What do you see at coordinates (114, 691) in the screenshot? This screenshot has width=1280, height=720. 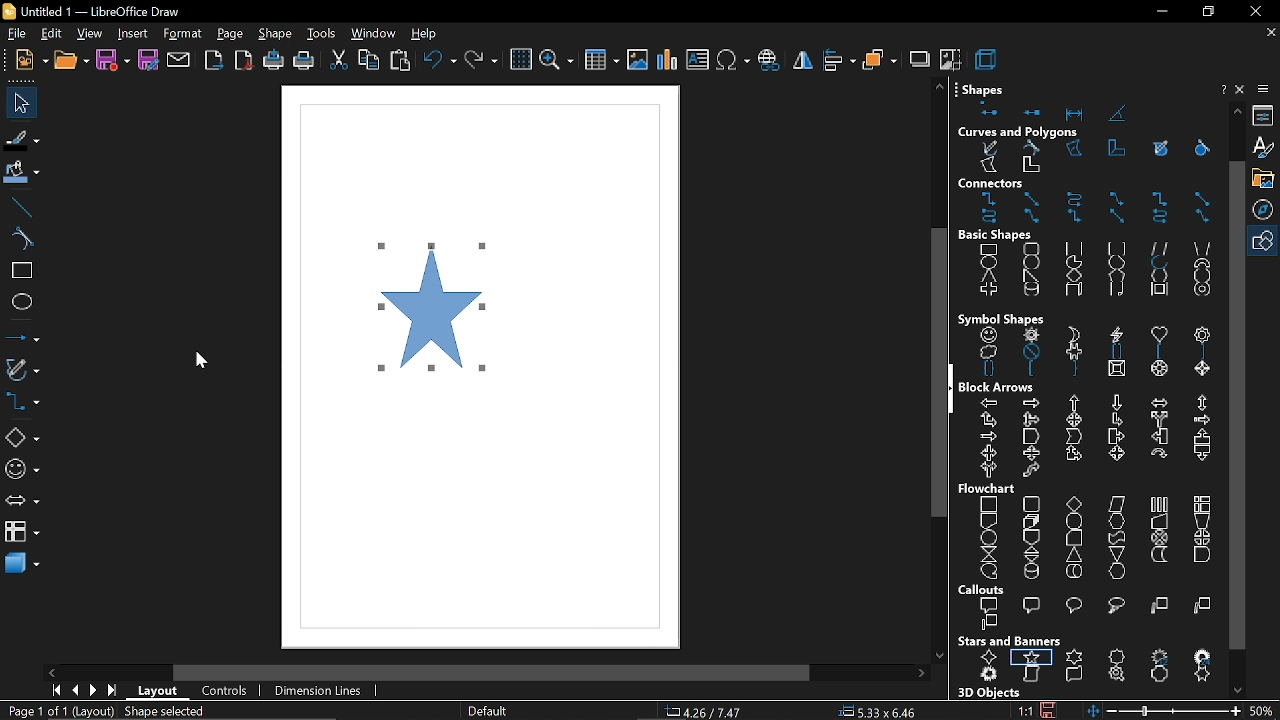 I see `go to last page` at bounding box center [114, 691].